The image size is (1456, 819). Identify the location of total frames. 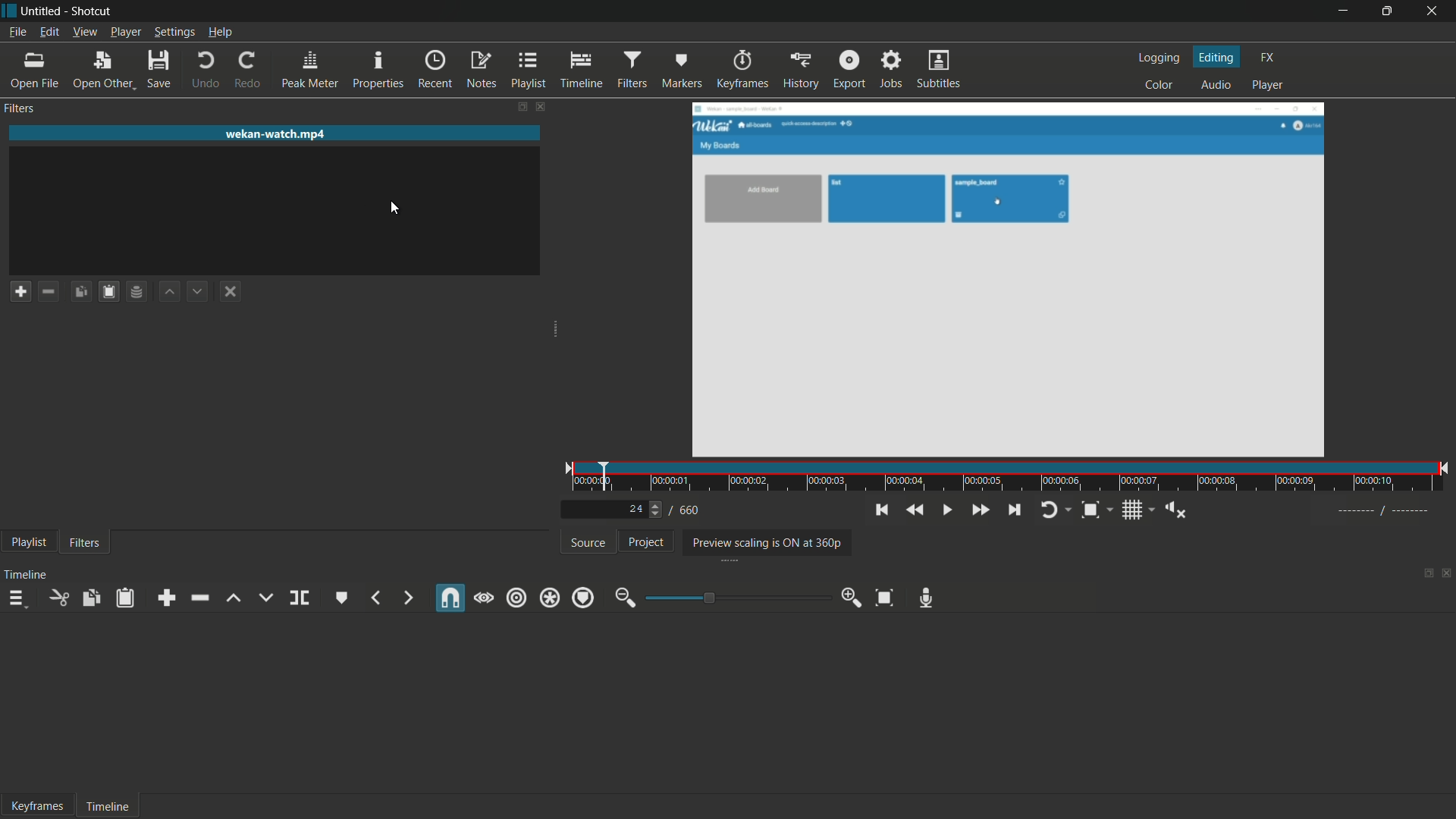
(689, 510).